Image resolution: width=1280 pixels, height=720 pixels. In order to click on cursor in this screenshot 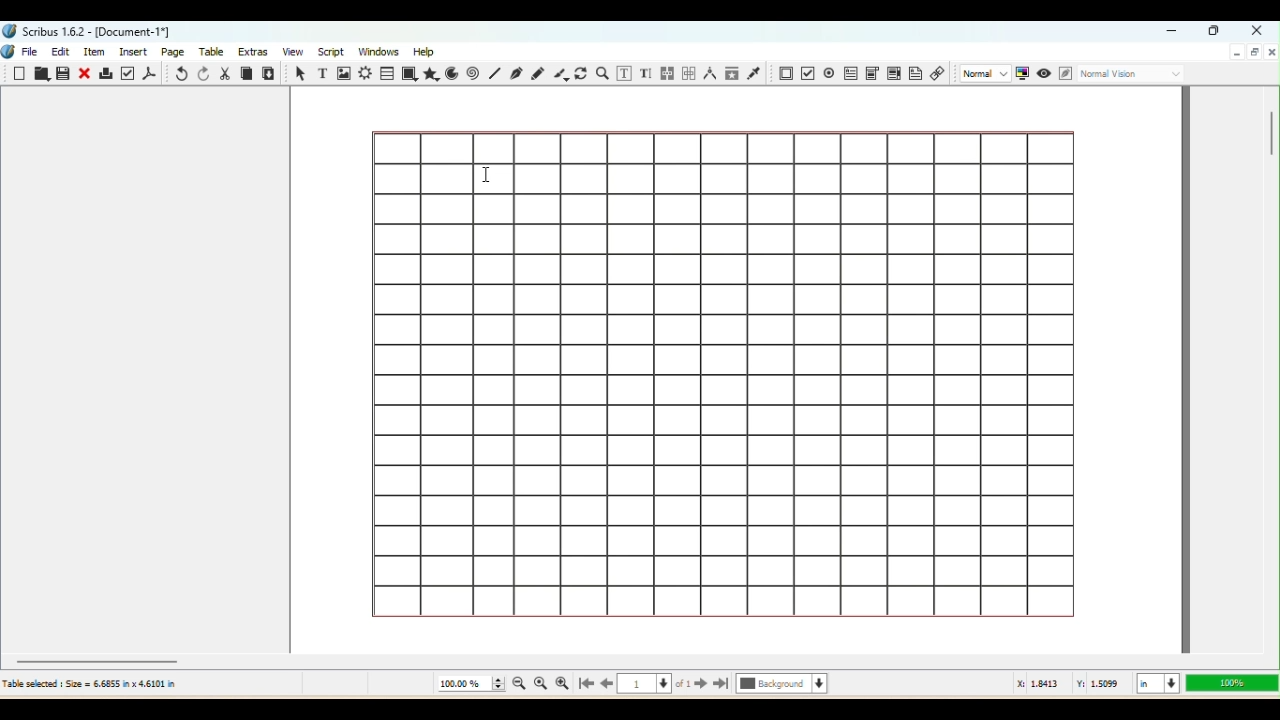, I will do `click(484, 174)`.